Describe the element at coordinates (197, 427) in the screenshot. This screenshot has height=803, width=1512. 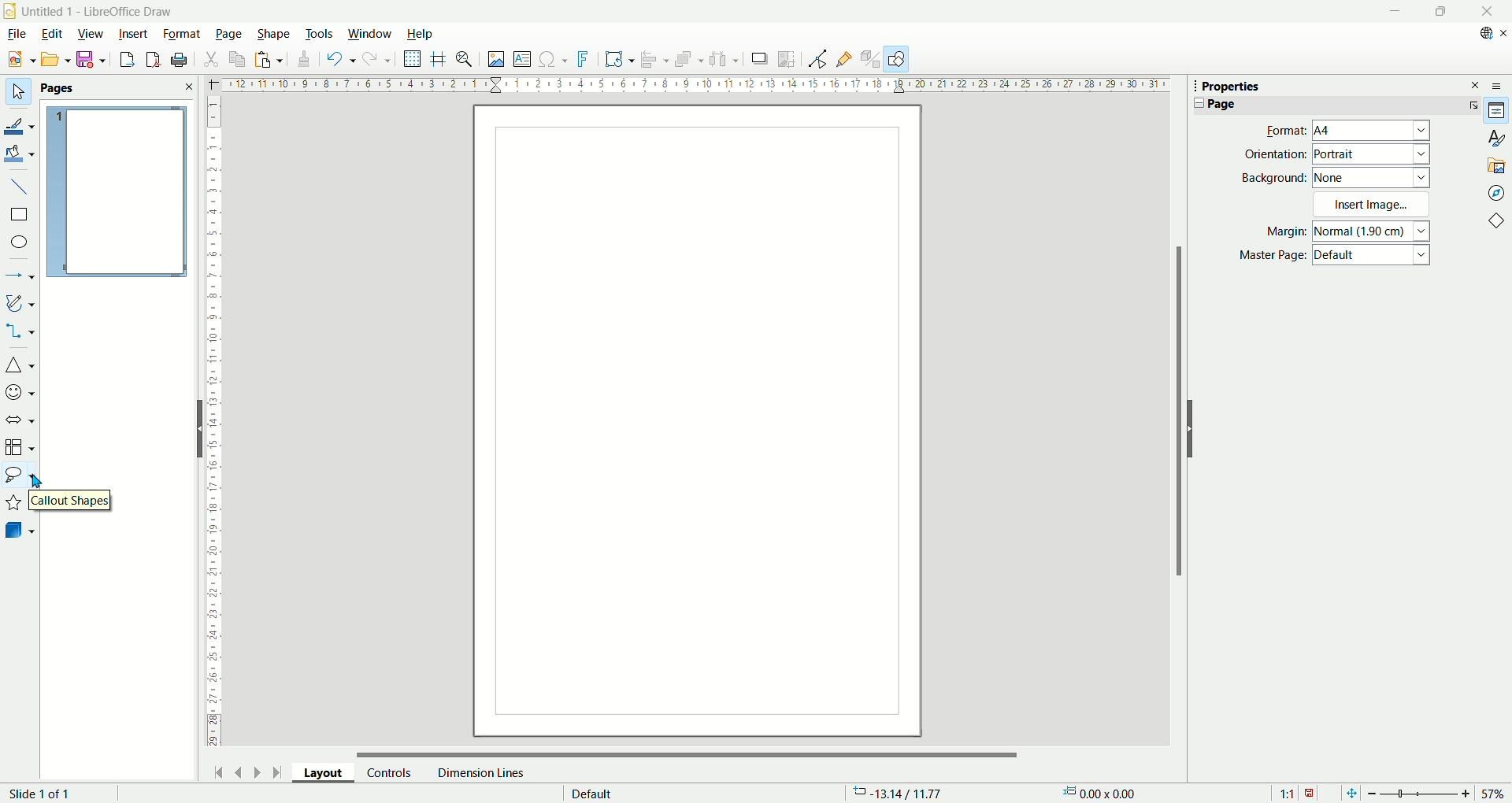
I see `Hide` at that location.